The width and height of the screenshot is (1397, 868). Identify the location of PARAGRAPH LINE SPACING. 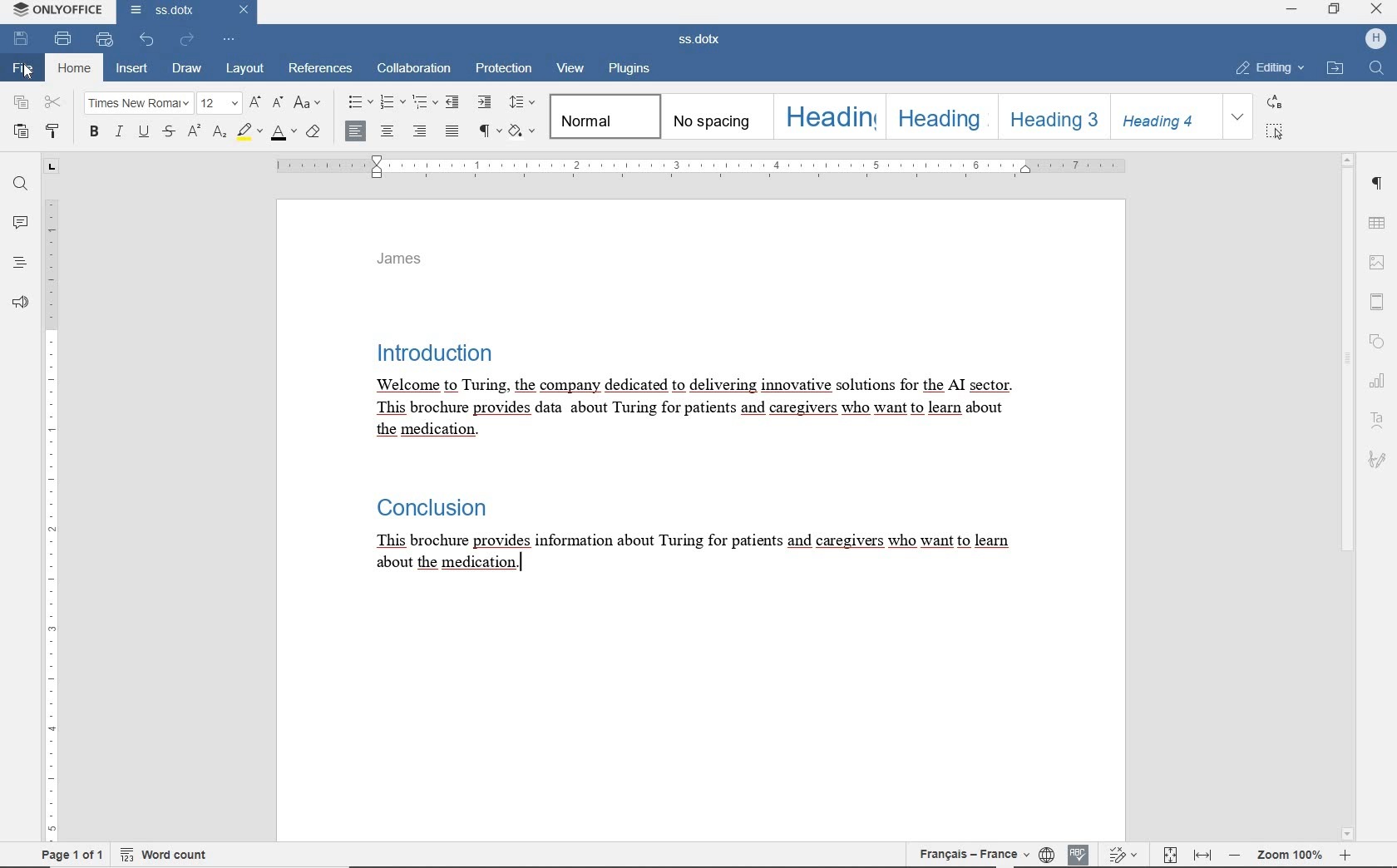
(521, 103).